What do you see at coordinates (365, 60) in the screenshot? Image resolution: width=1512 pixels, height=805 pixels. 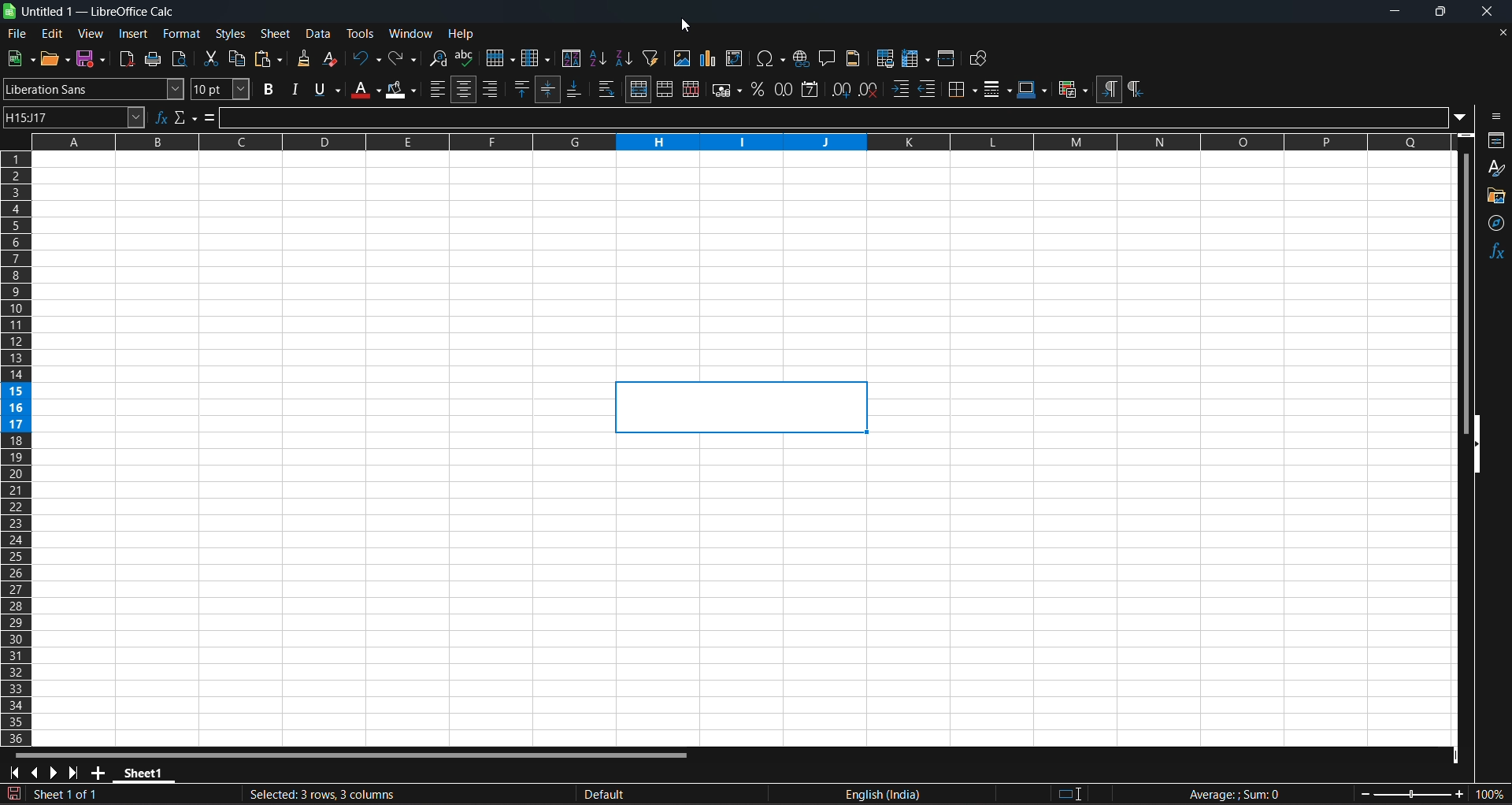 I see `undo ` at bounding box center [365, 60].